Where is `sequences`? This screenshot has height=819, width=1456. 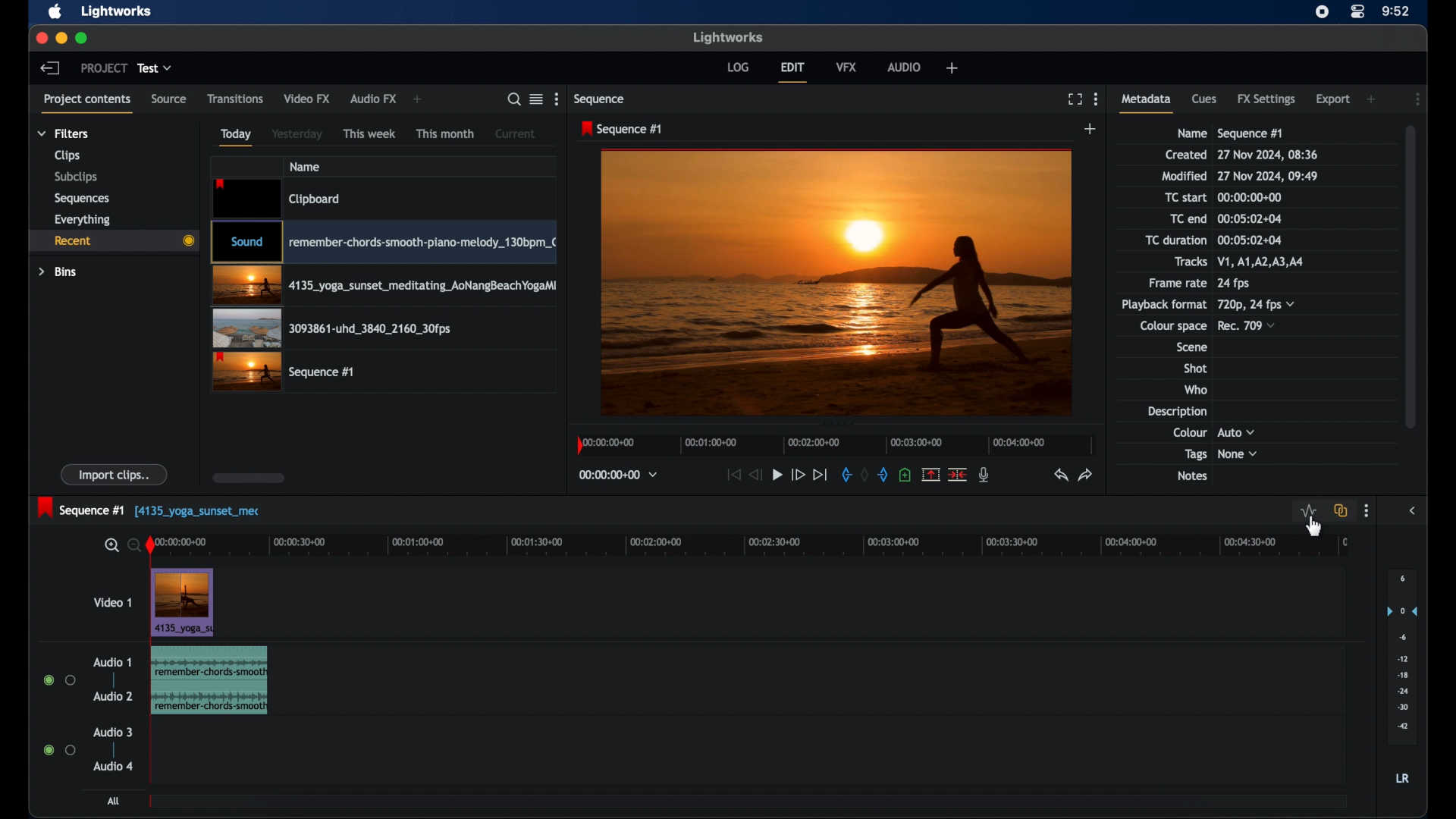 sequences is located at coordinates (82, 199).